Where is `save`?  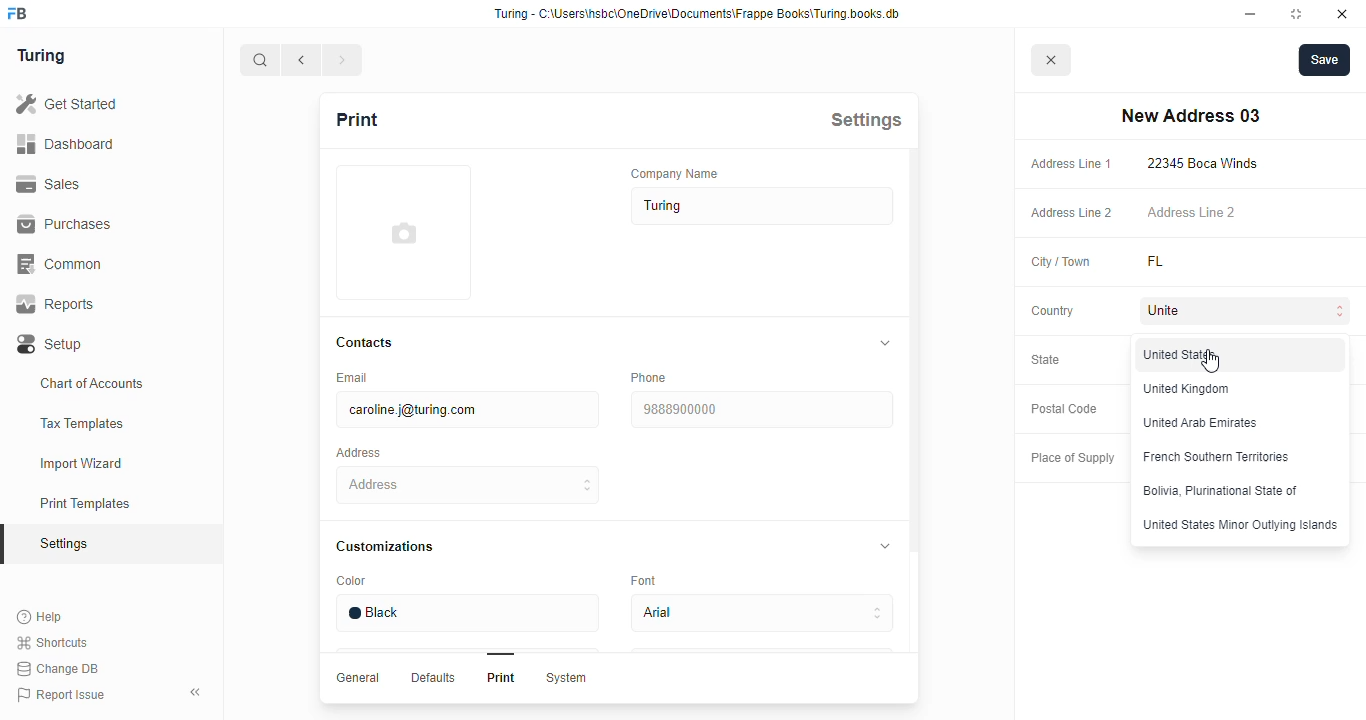
save is located at coordinates (1325, 60).